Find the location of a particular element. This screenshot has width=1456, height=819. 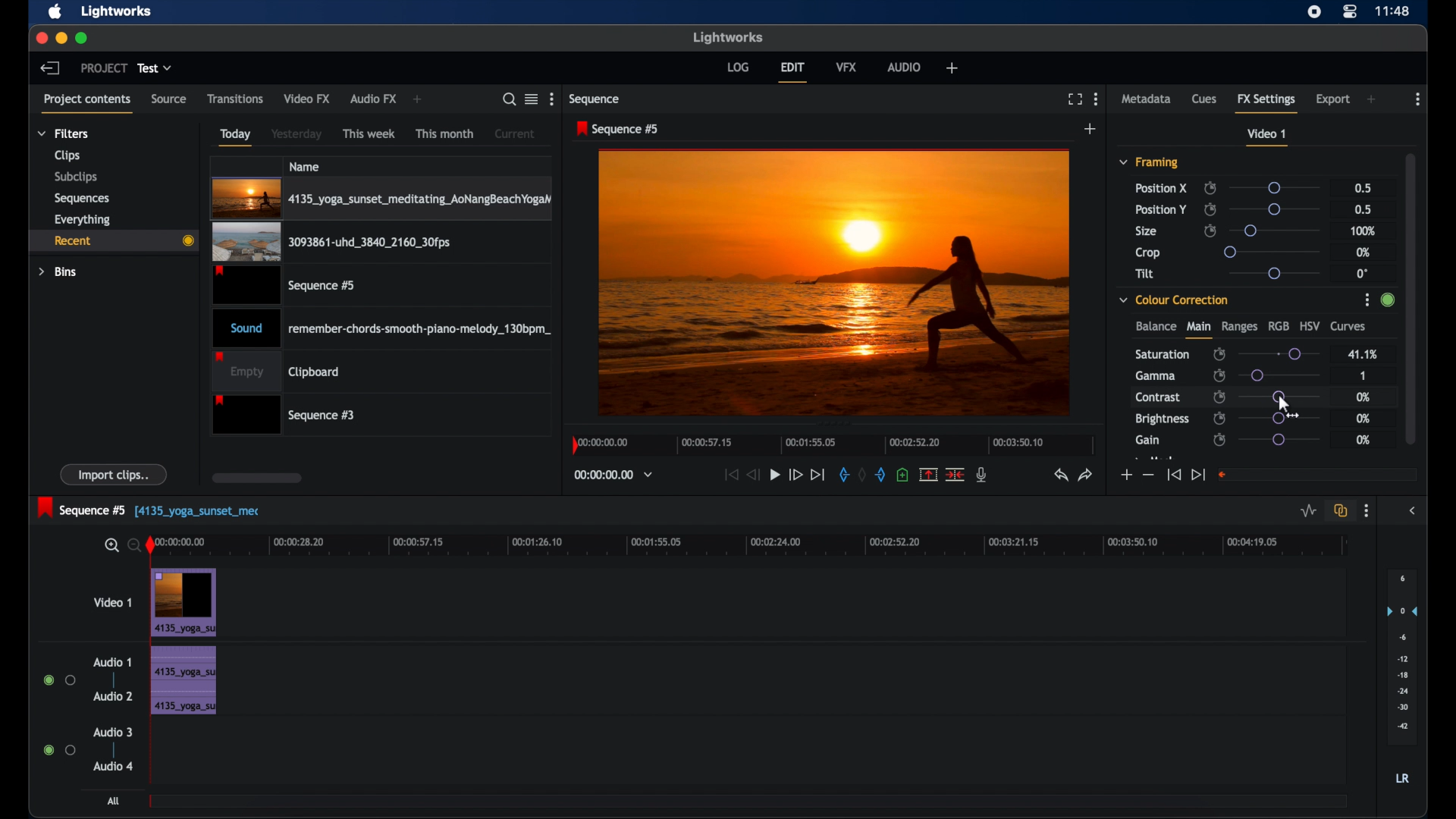

out mark is located at coordinates (881, 474).